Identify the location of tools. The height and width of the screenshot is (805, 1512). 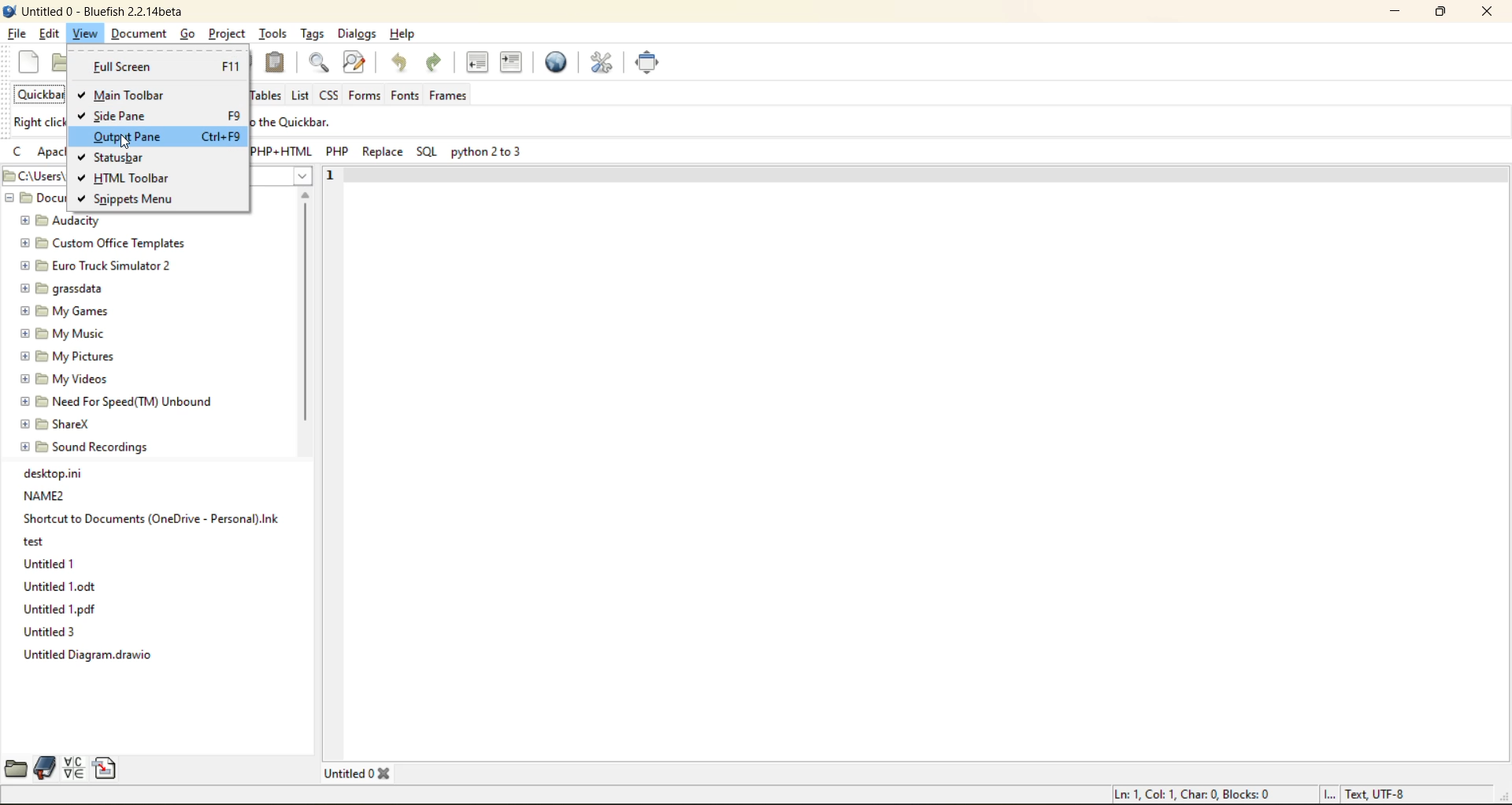
(272, 35).